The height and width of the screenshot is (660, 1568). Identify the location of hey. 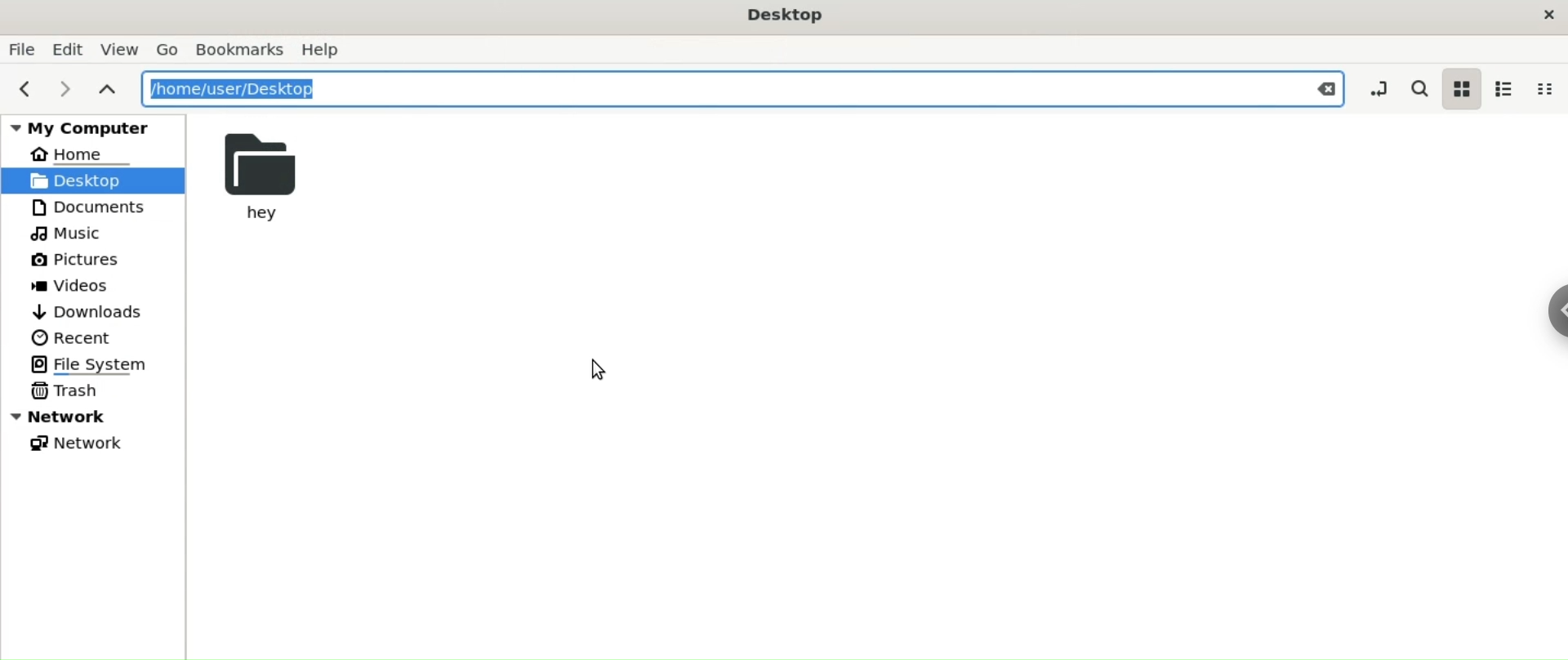
(276, 173).